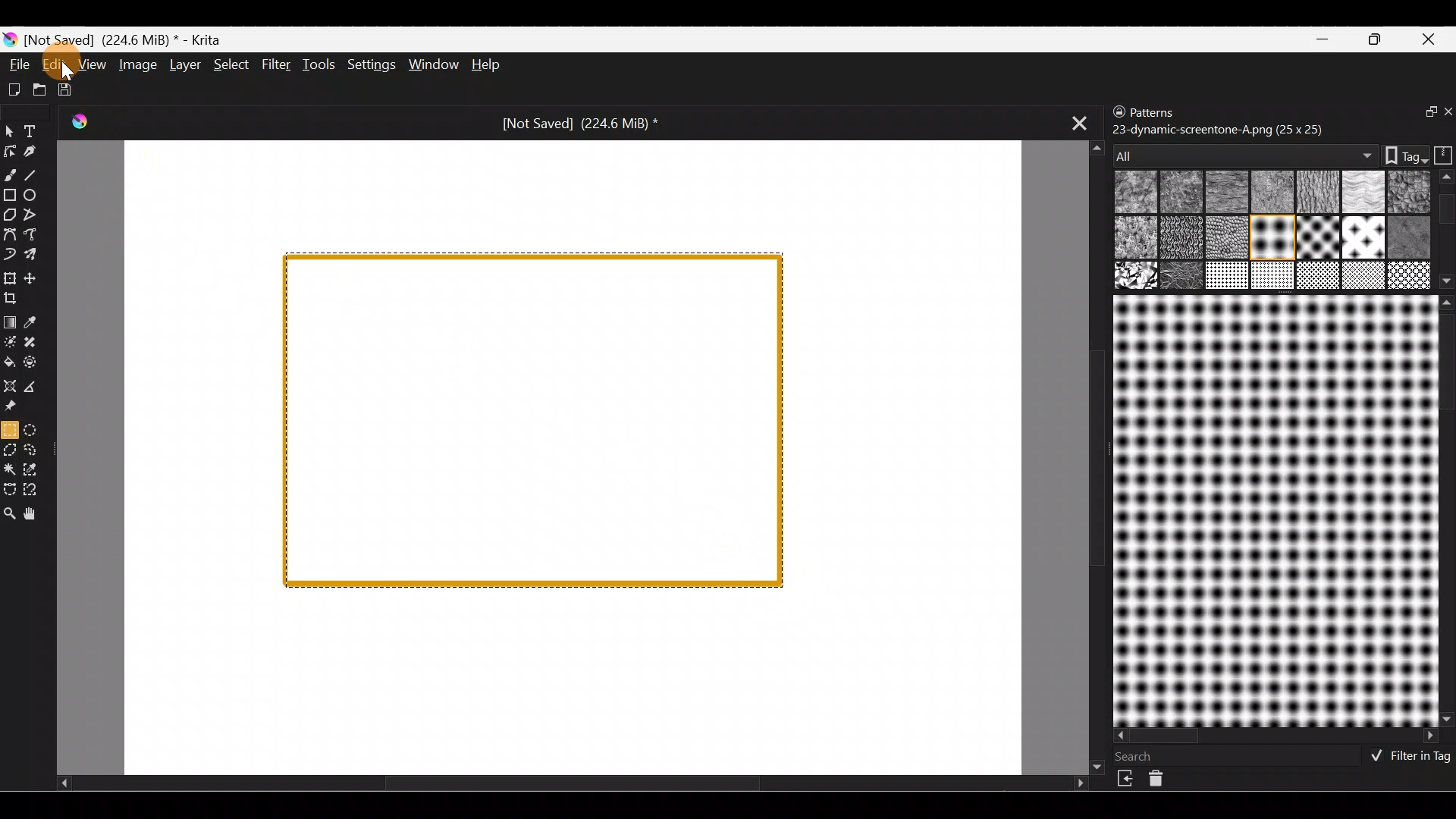  Describe the element at coordinates (35, 429) in the screenshot. I see `Elliptical selection tool` at that location.